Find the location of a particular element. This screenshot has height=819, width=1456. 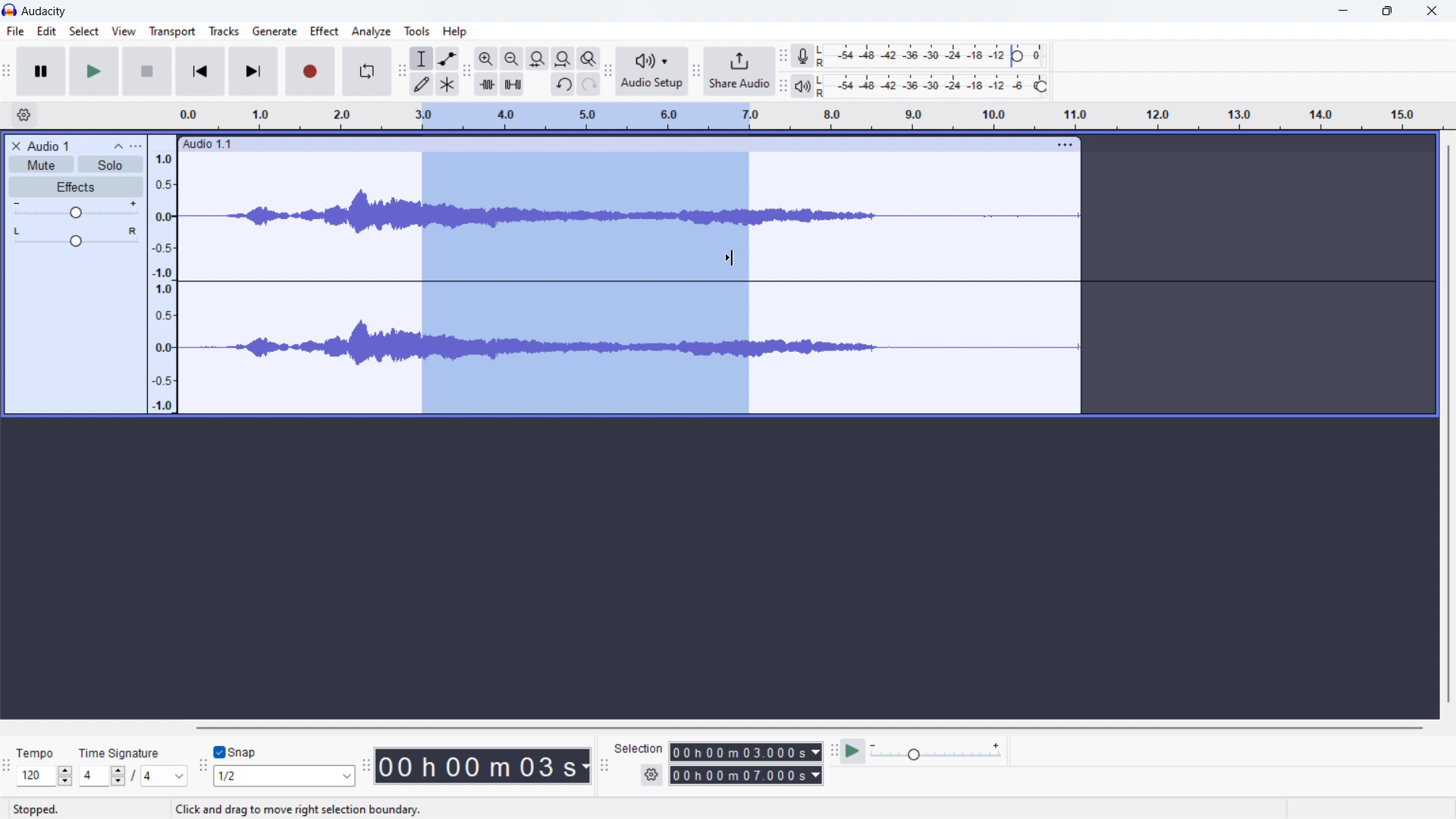

envelop tool is located at coordinates (447, 58).